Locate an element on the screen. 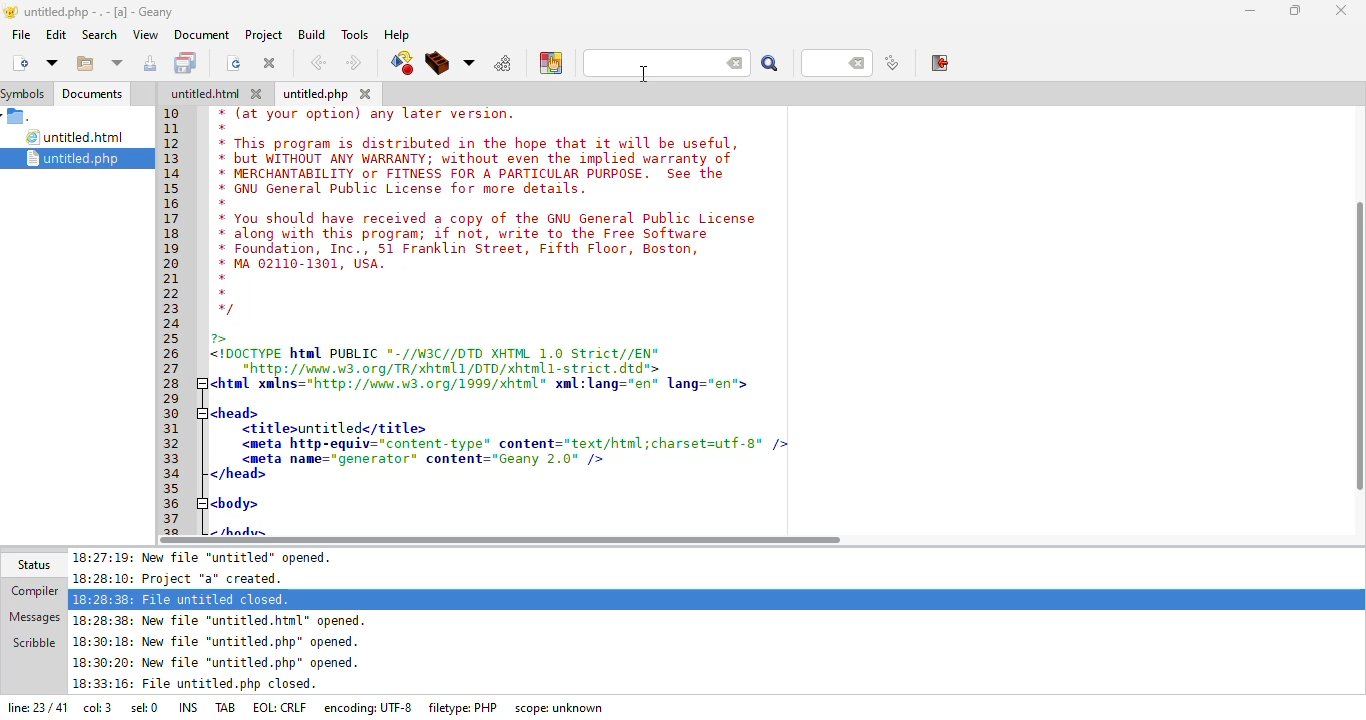 This screenshot has width=1366, height=720. * This program is distributed in the hope that it will be usefull is located at coordinates (476, 143).